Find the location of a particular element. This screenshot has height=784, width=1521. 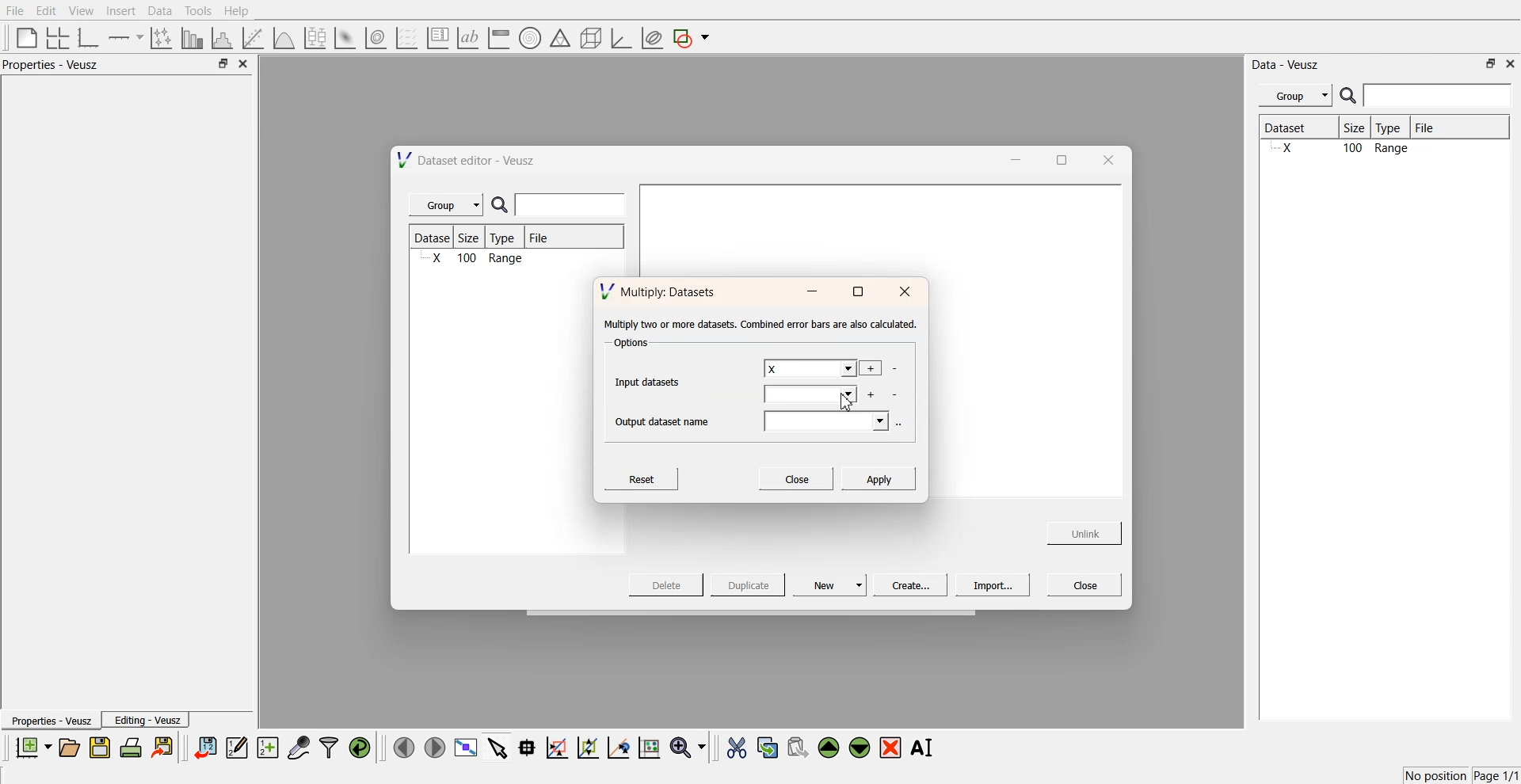

3d shapes is located at coordinates (588, 38).